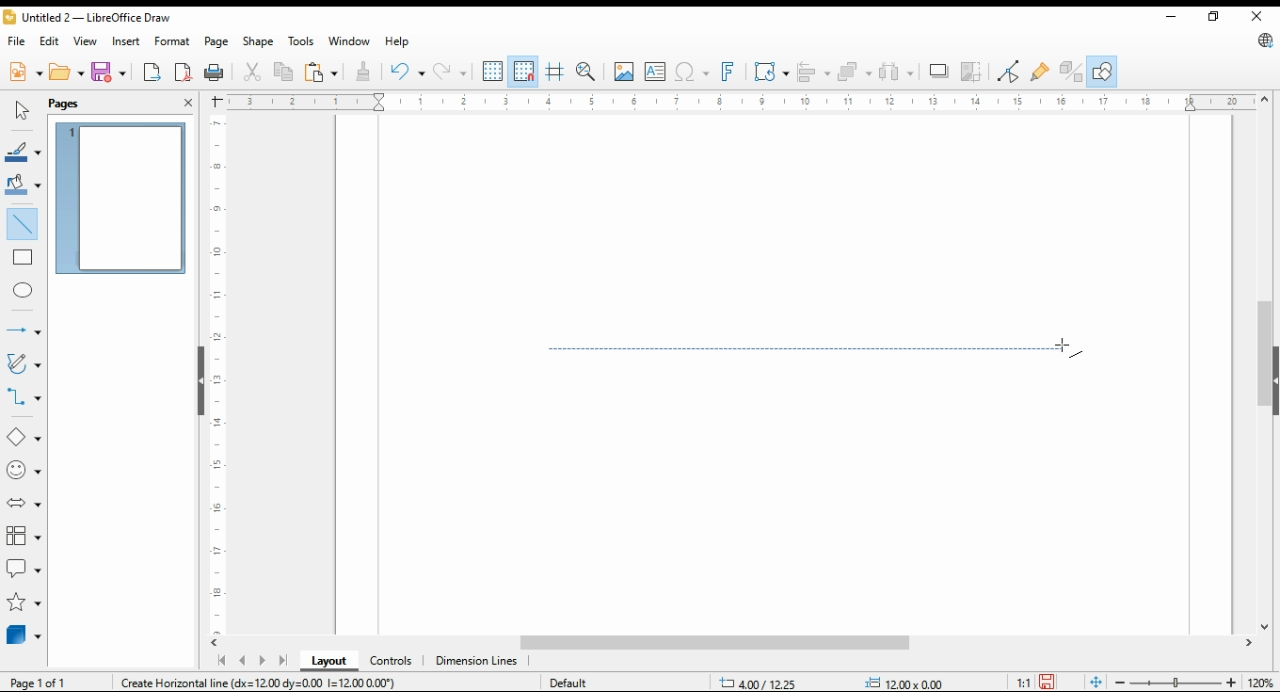 The width and height of the screenshot is (1280, 692). I want to click on export, so click(153, 71).